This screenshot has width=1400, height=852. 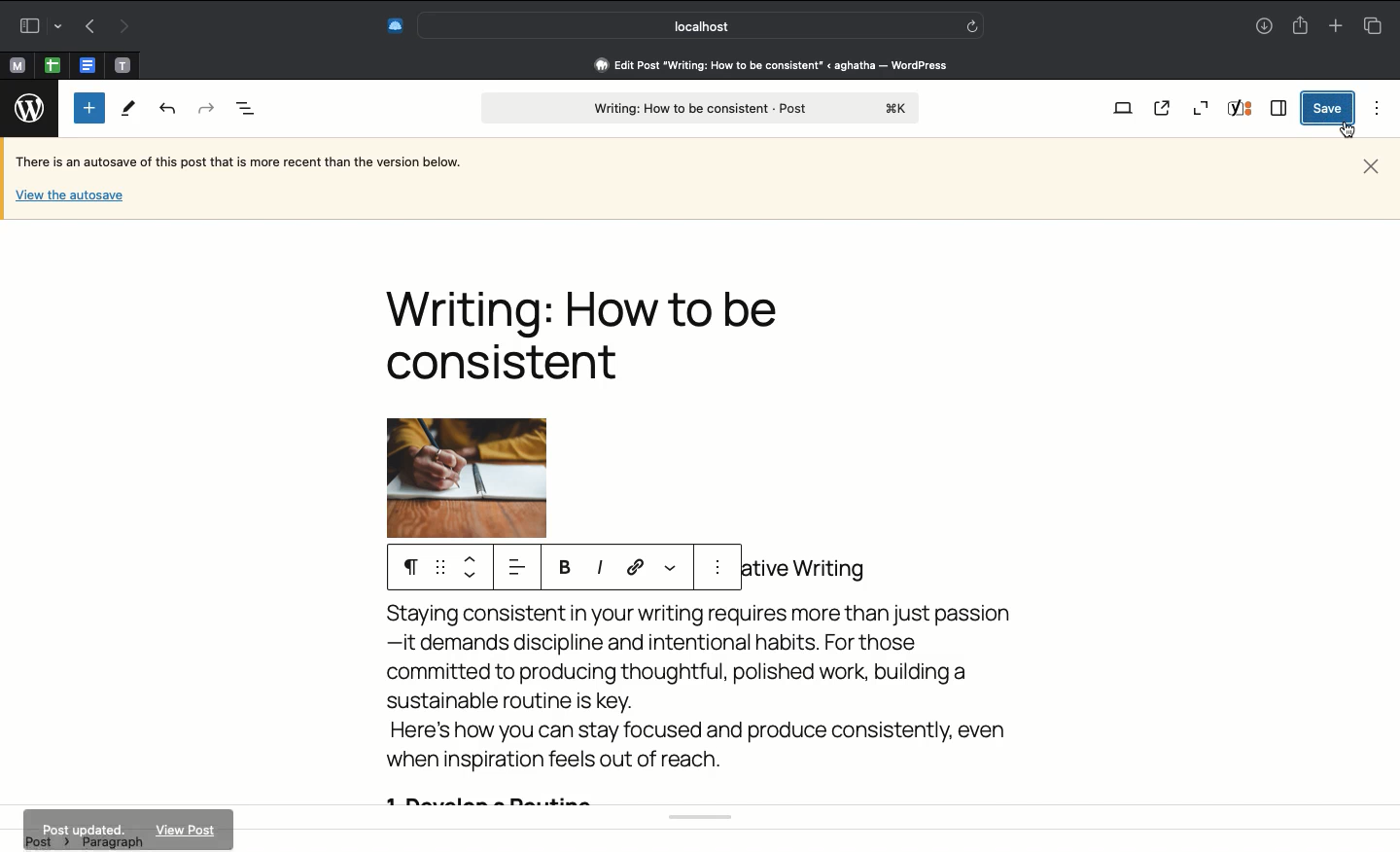 What do you see at coordinates (246, 110) in the screenshot?
I see `Document overview` at bounding box center [246, 110].